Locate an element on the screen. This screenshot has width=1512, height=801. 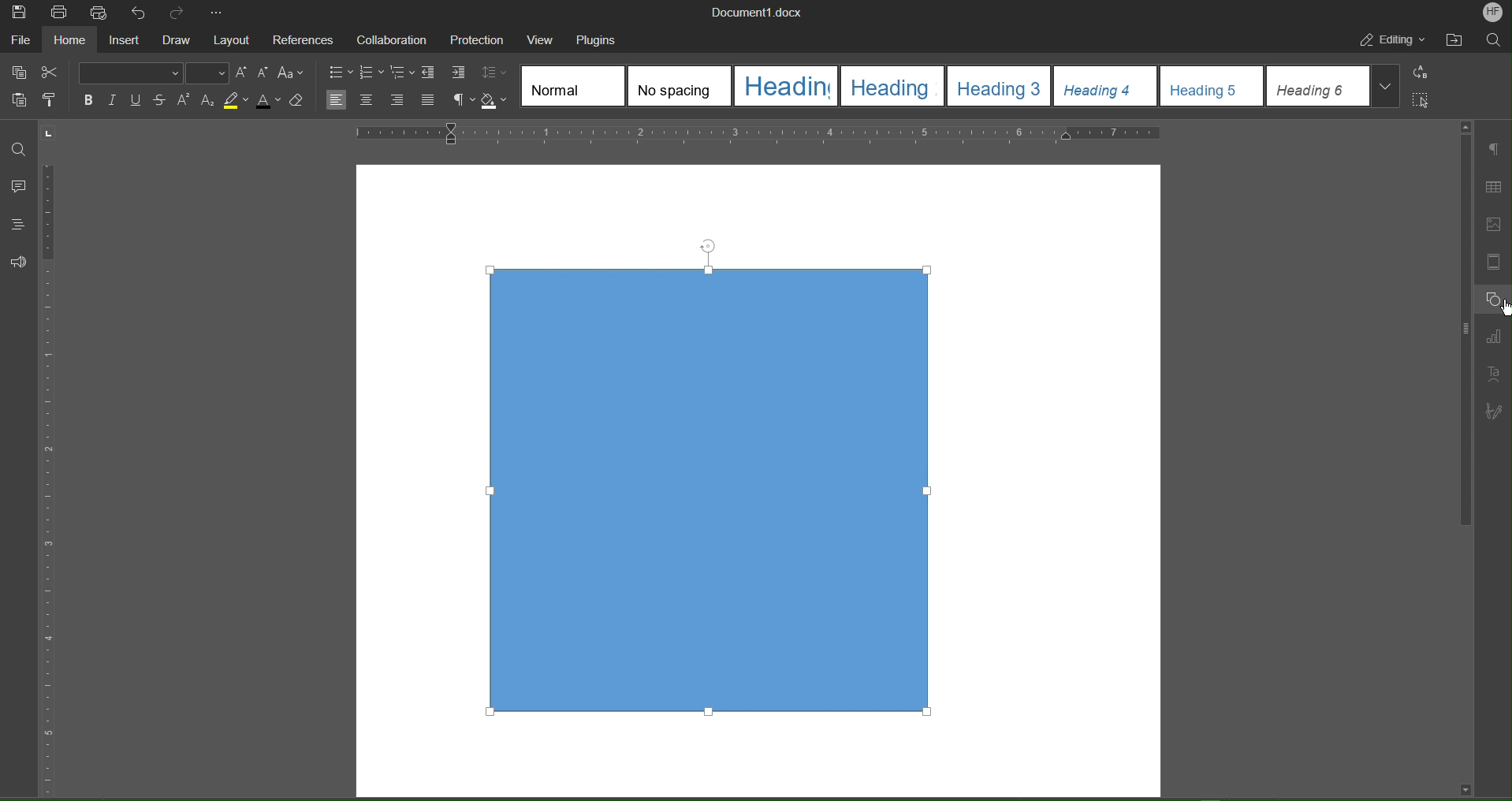
Heading 4 is located at coordinates (1103, 86).